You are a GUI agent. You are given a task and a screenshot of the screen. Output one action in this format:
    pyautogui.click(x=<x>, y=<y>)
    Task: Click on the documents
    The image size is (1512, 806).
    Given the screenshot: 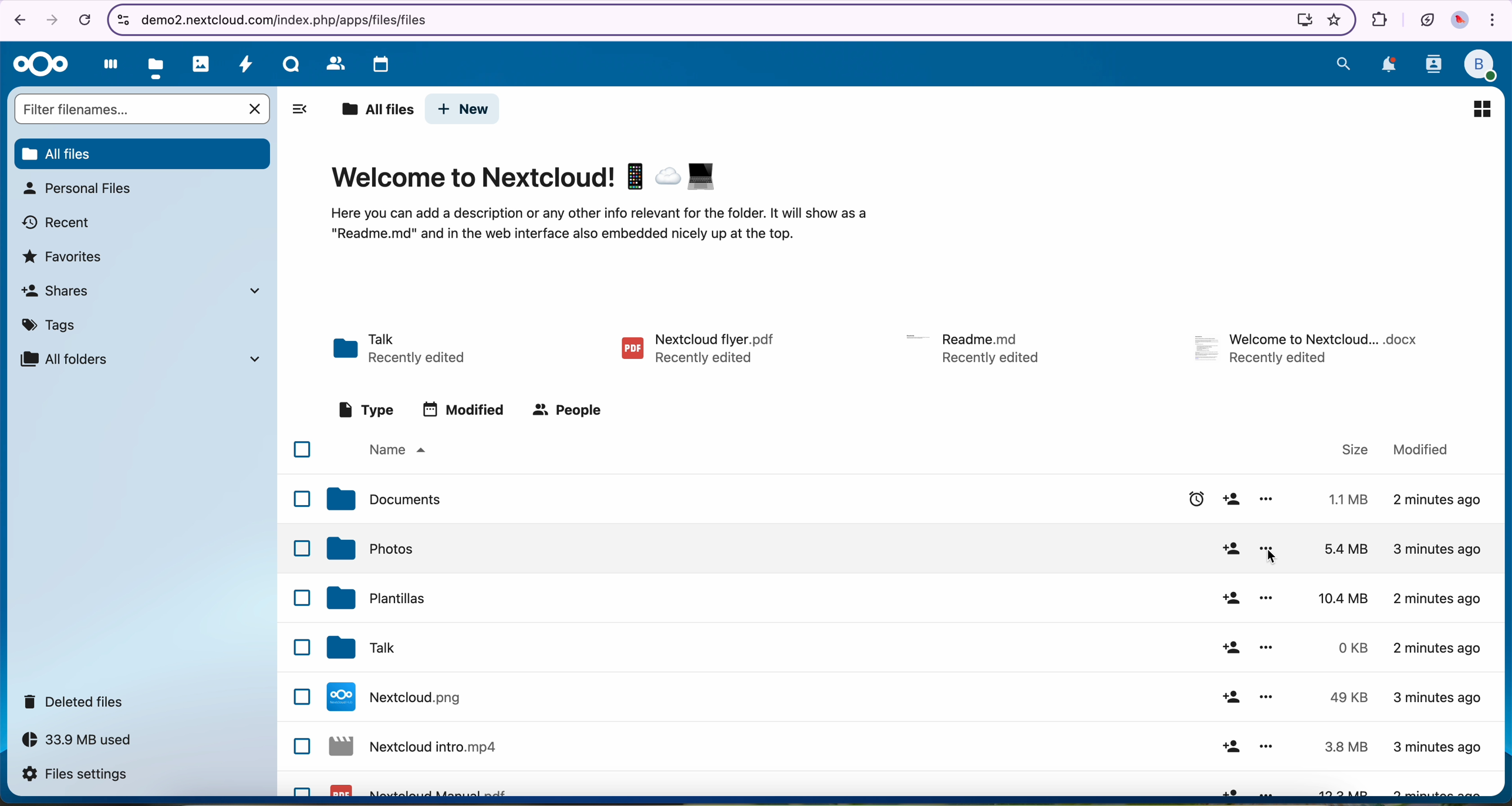 What is the action you would take?
    pyautogui.click(x=386, y=500)
    